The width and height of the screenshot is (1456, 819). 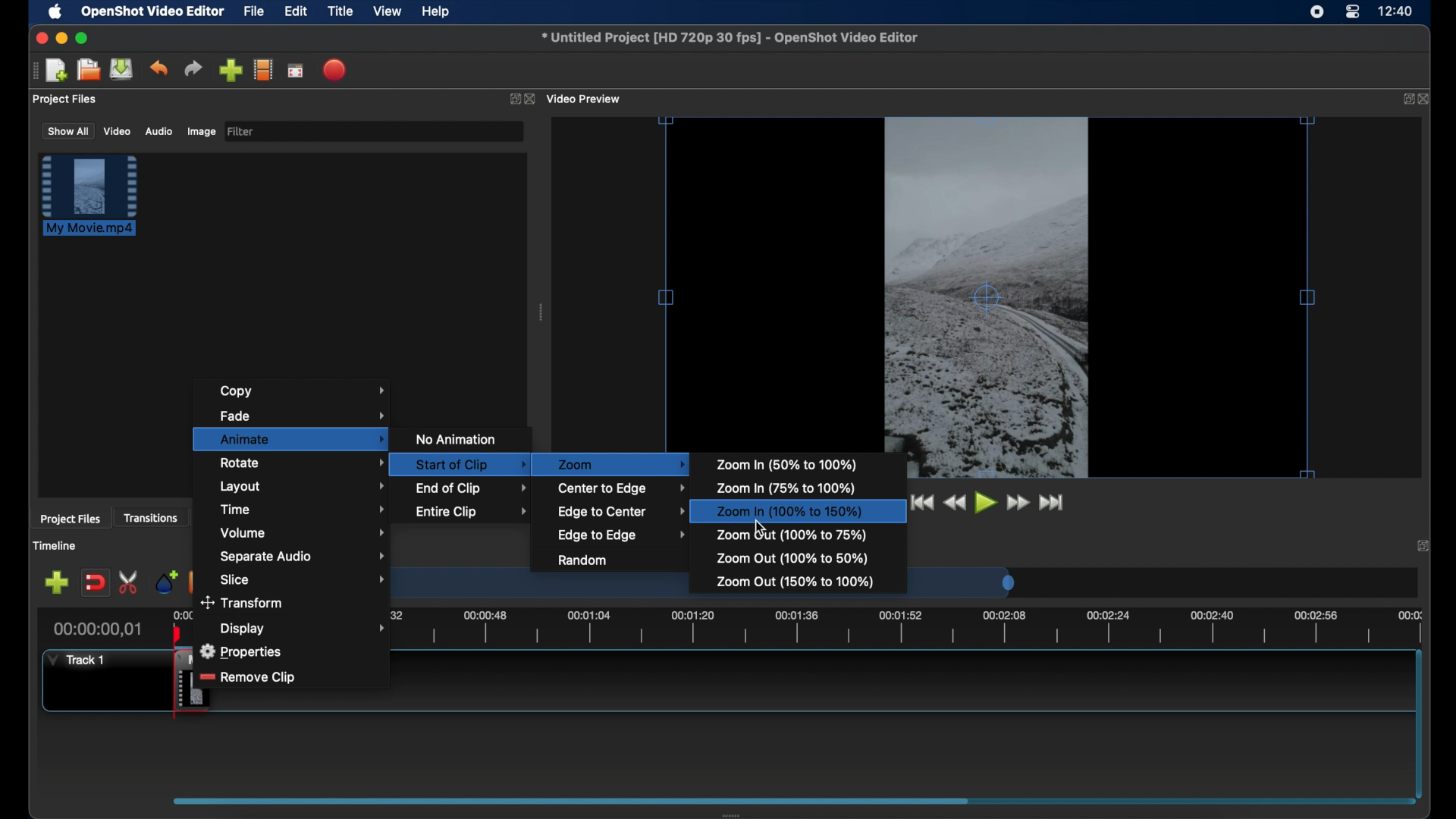 What do you see at coordinates (530, 99) in the screenshot?
I see `close` at bounding box center [530, 99].